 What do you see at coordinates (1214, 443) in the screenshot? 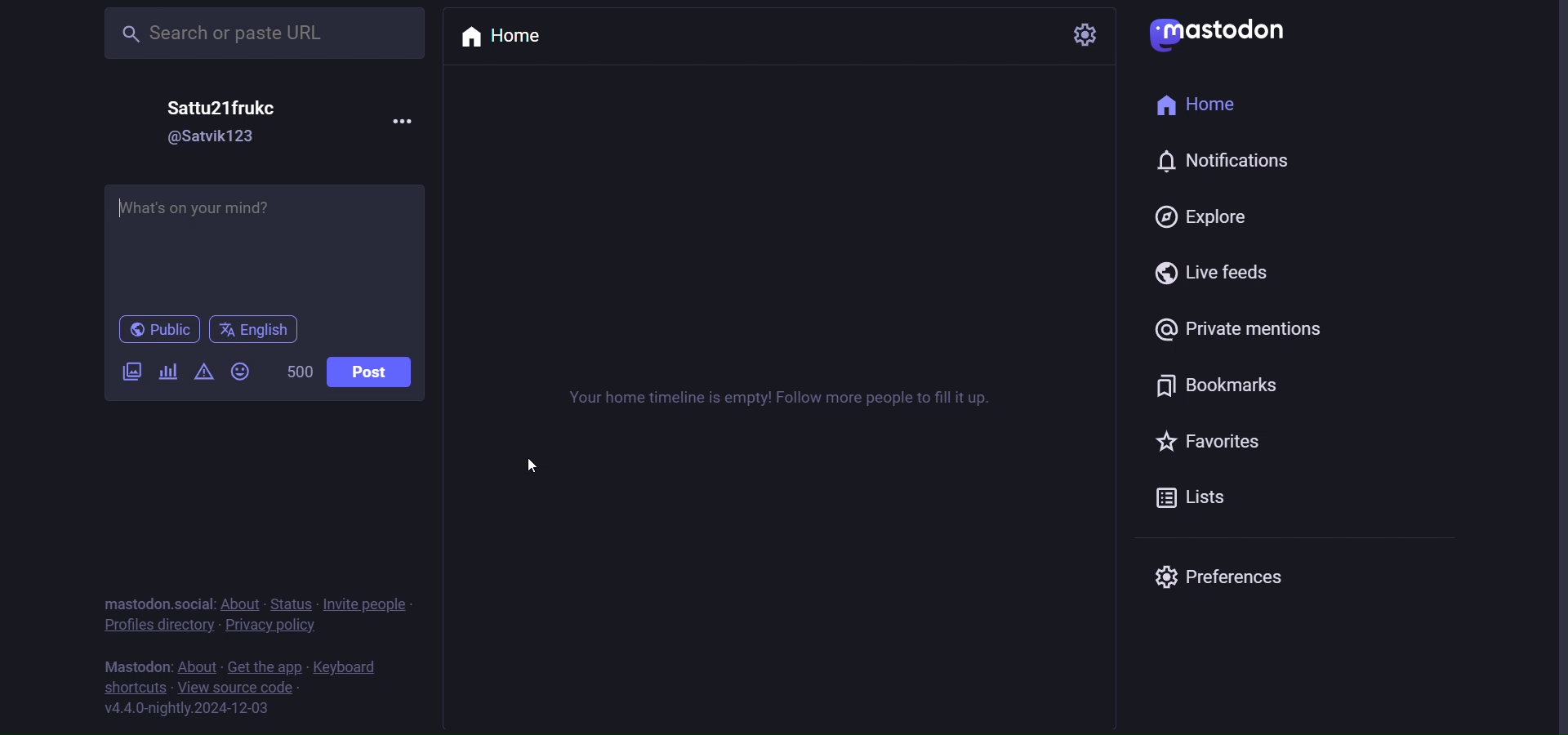
I see `favorites` at bounding box center [1214, 443].